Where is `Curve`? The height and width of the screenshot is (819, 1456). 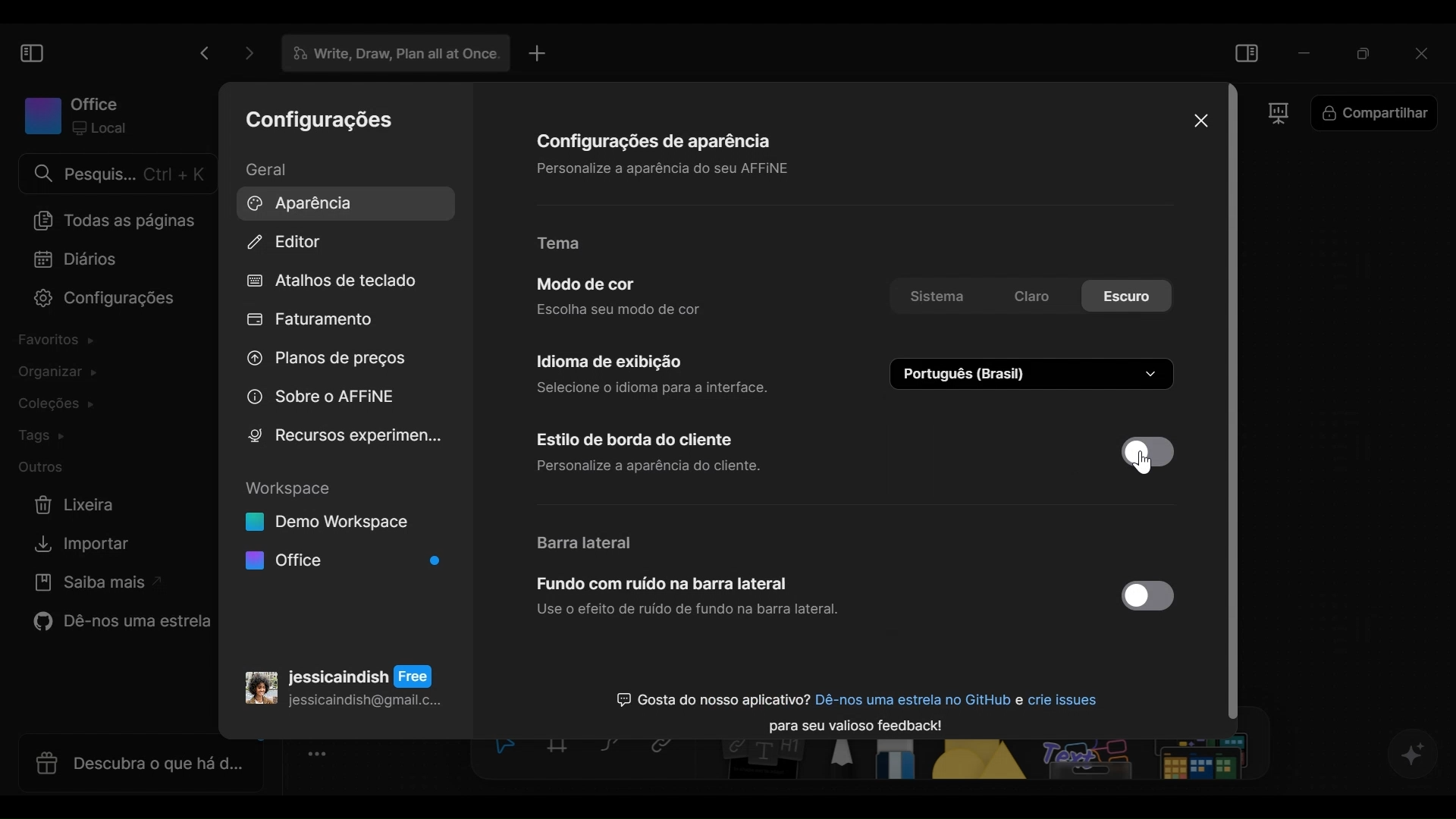 Curve is located at coordinates (612, 748).